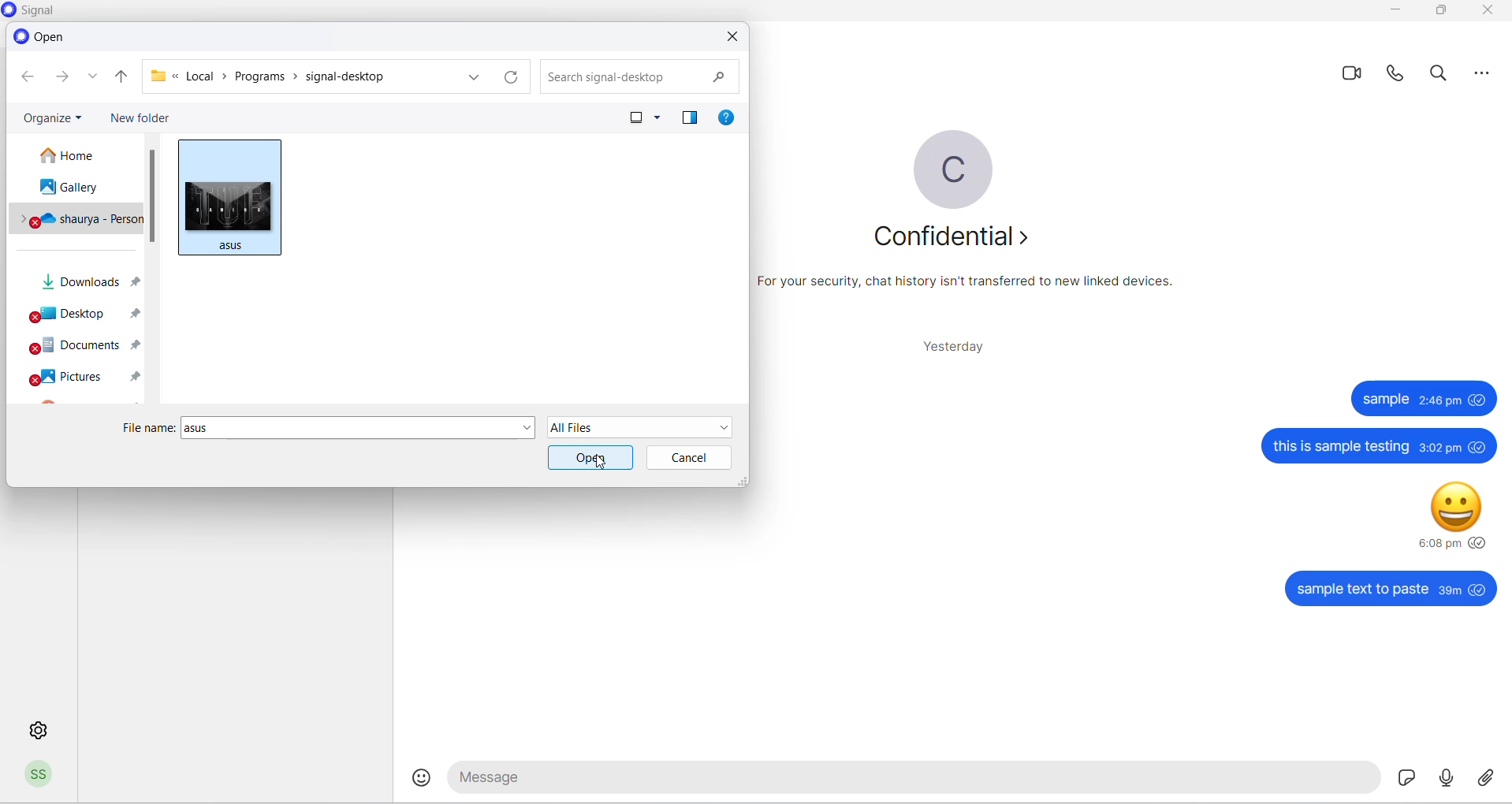 The height and width of the screenshot is (804, 1512). What do you see at coordinates (948, 346) in the screenshot?
I see `yesterday heading` at bounding box center [948, 346].